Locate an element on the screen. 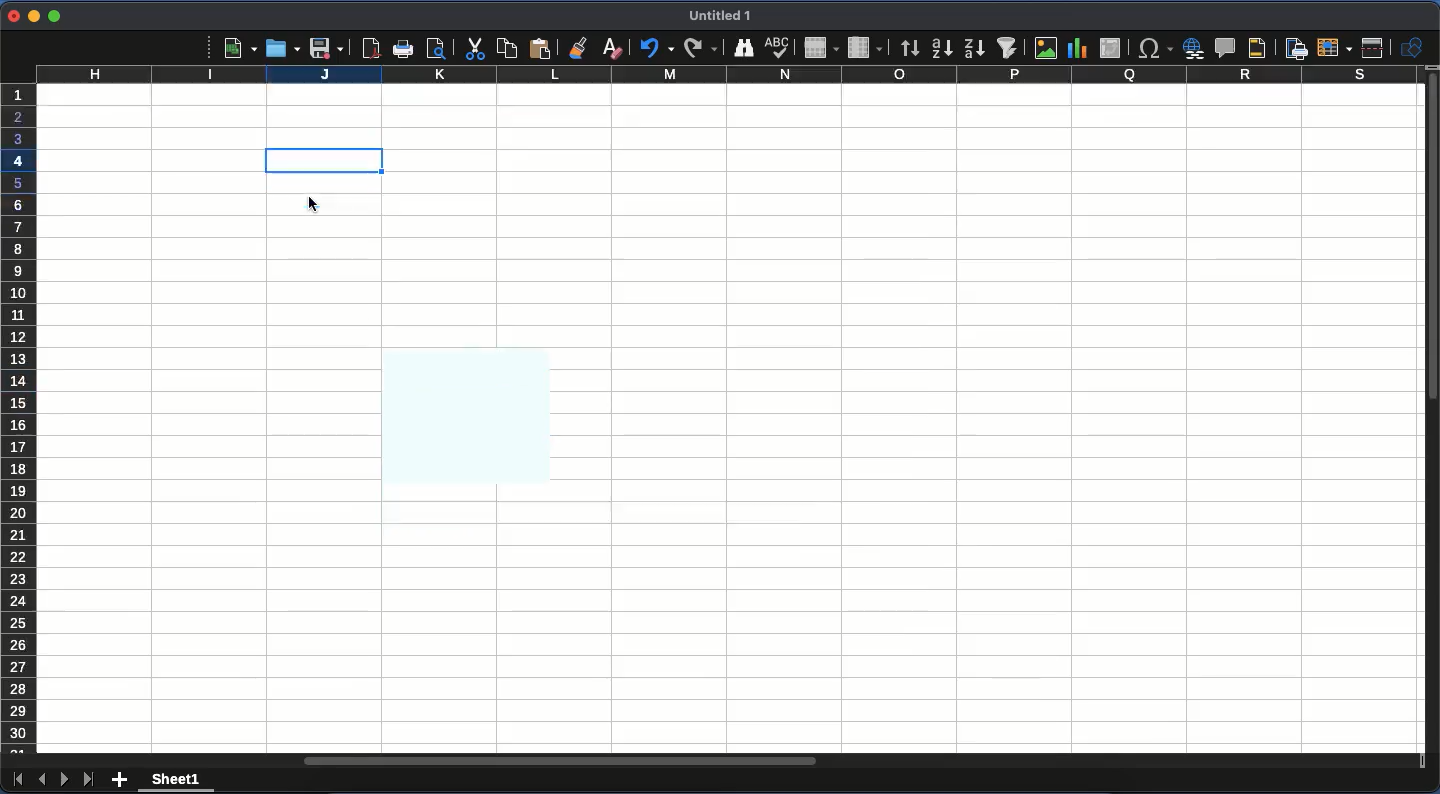  untitled is located at coordinates (719, 15).